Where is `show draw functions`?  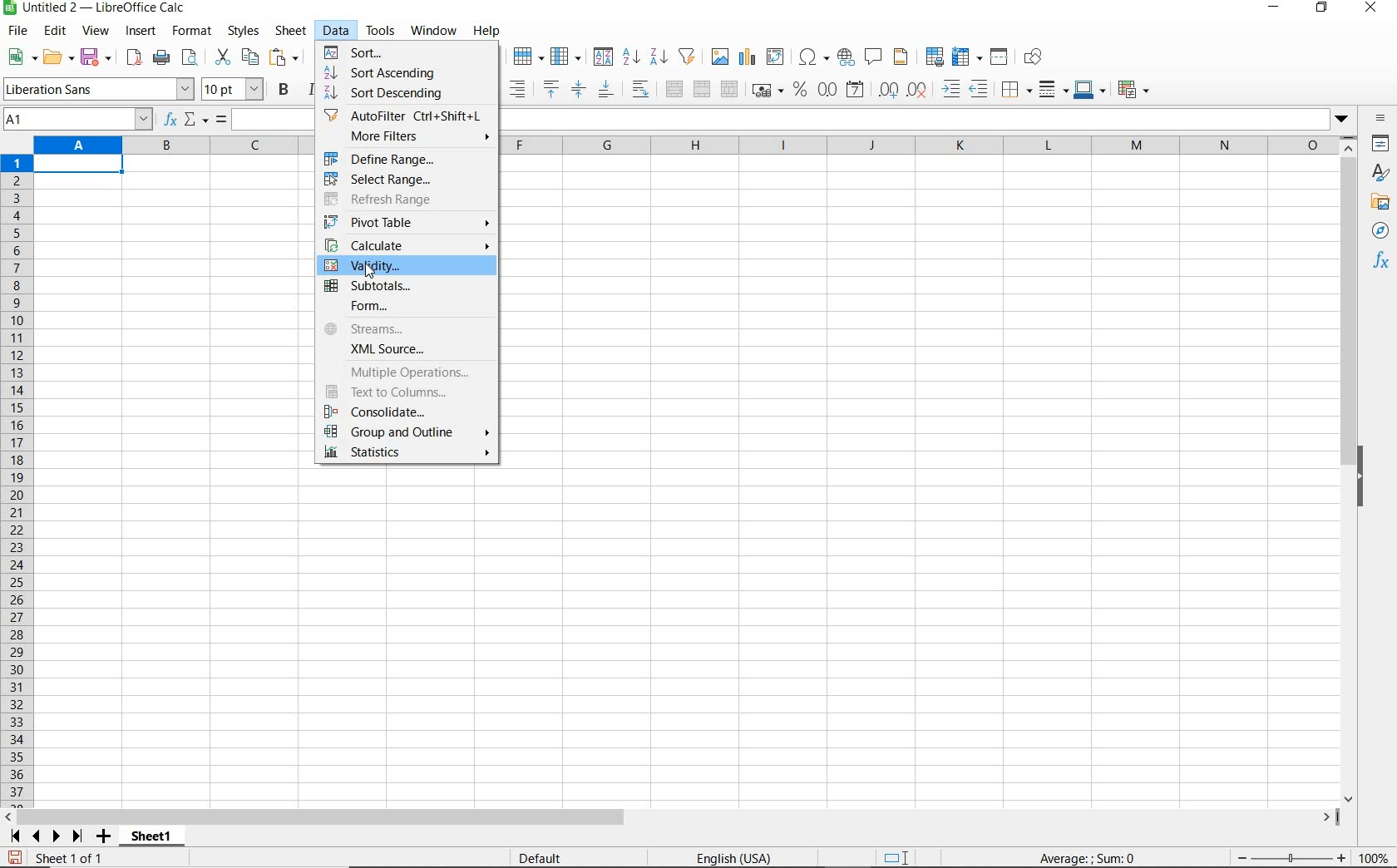
show draw functions is located at coordinates (1036, 57).